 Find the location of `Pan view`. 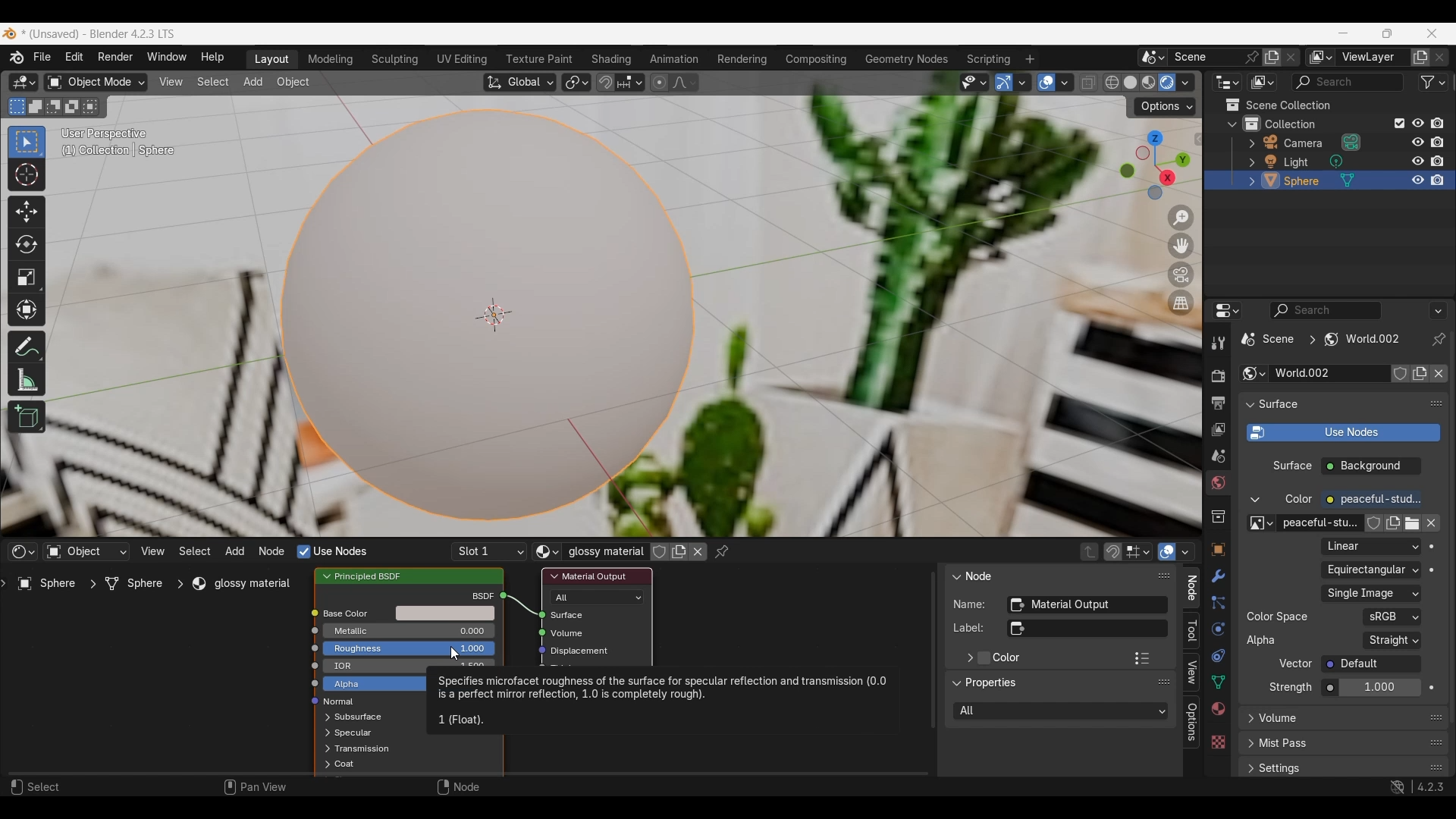

Pan view is located at coordinates (255, 786).